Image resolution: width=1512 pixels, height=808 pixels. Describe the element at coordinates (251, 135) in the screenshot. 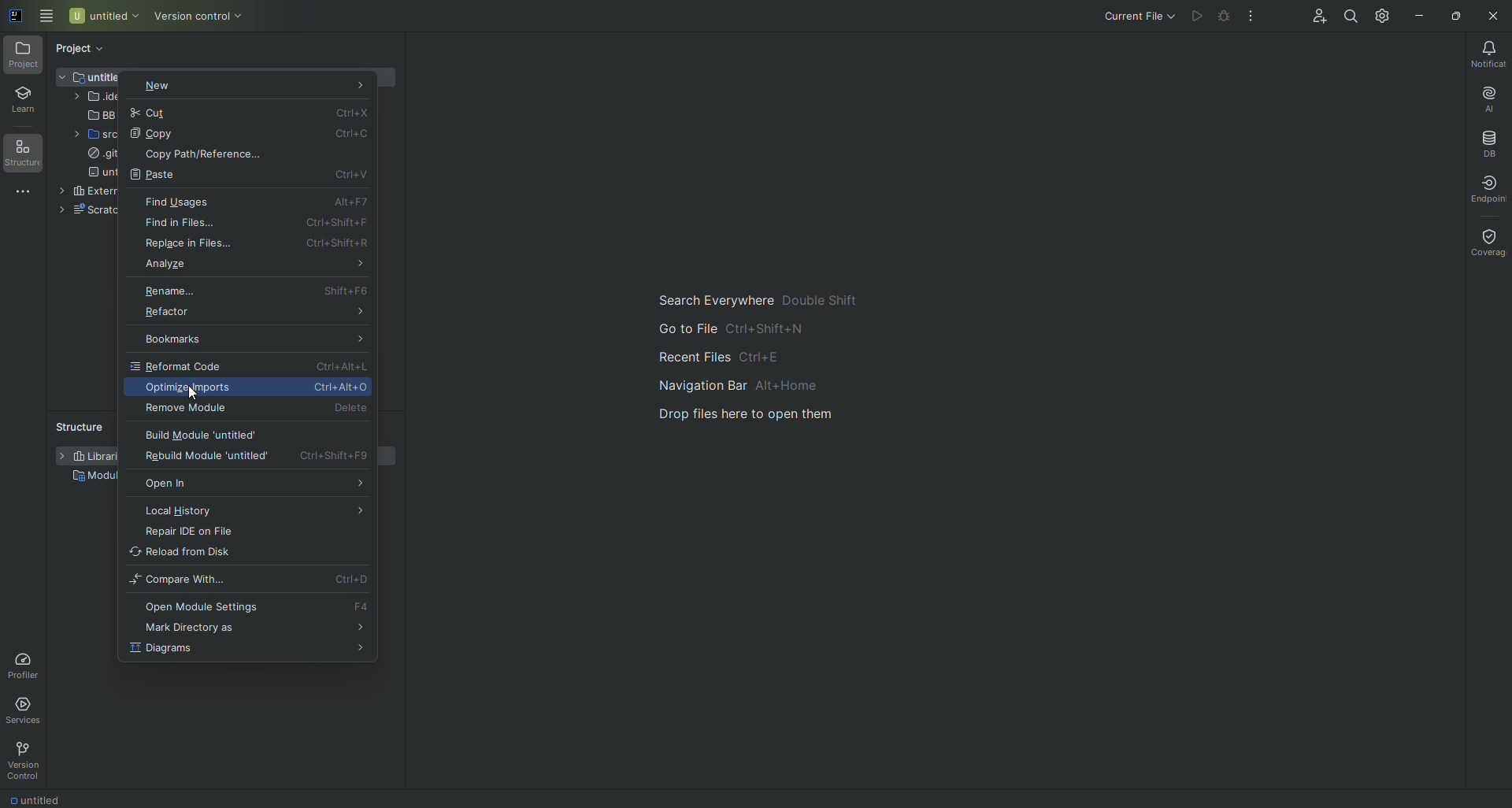

I see `Copy` at that location.